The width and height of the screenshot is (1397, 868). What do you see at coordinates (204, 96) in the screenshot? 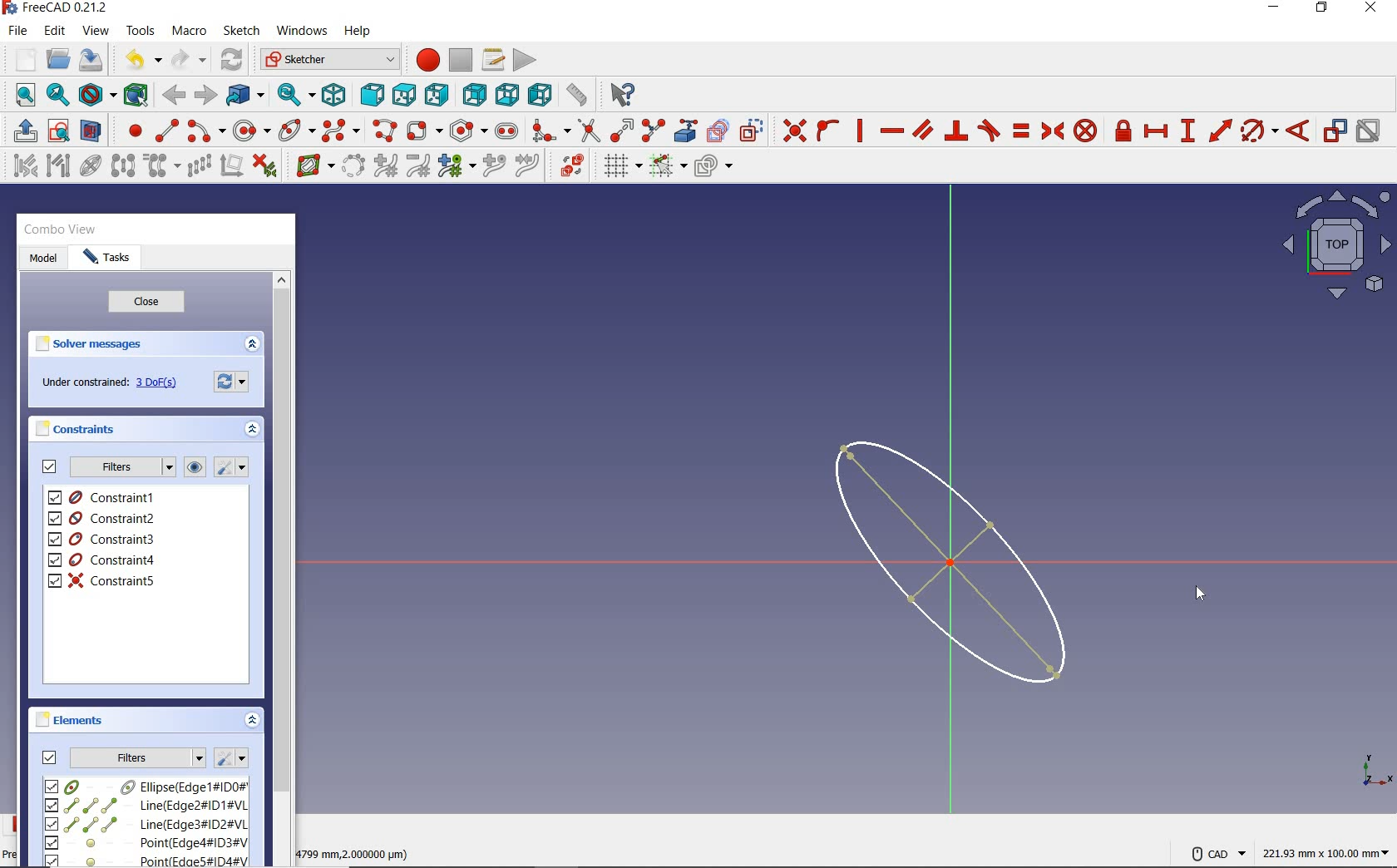
I see `forward` at bounding box center [204, 96].